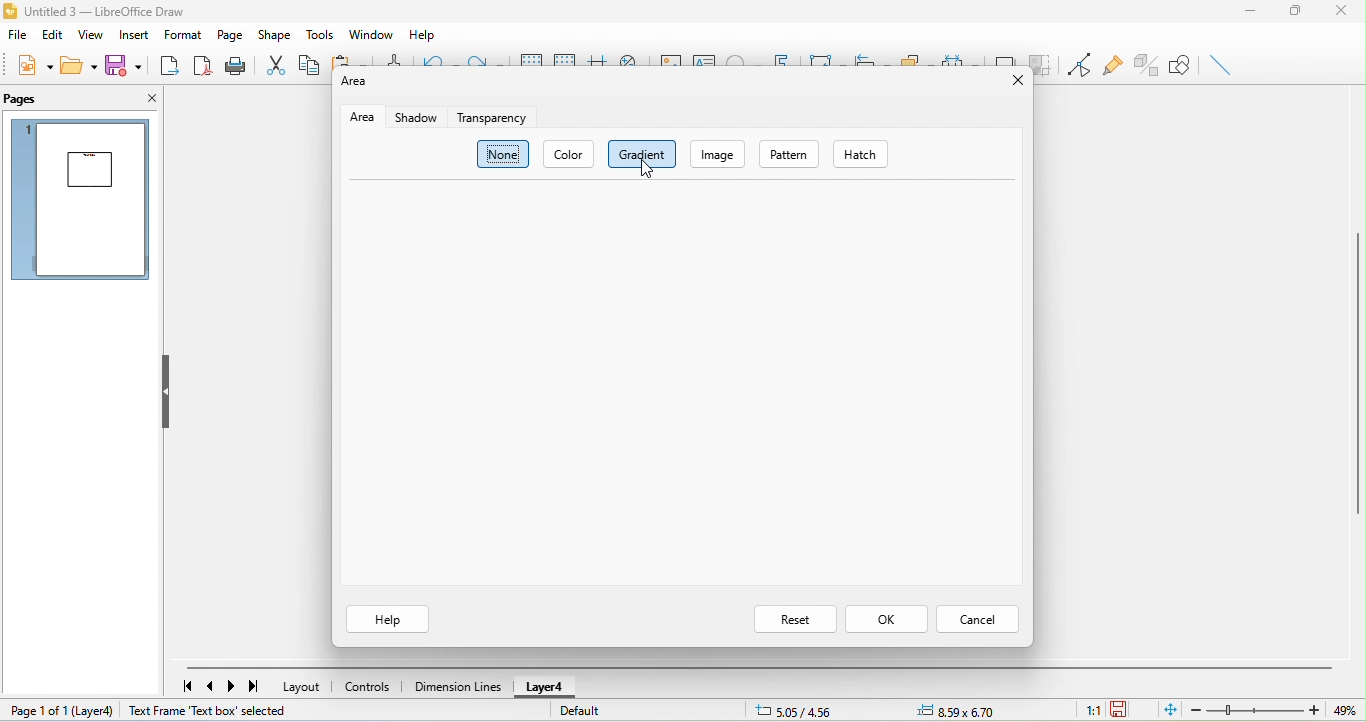 The image size is (1366, 722). Describe the element at coordinates (350, 59) in the screenshot. I see `paste` at that location.